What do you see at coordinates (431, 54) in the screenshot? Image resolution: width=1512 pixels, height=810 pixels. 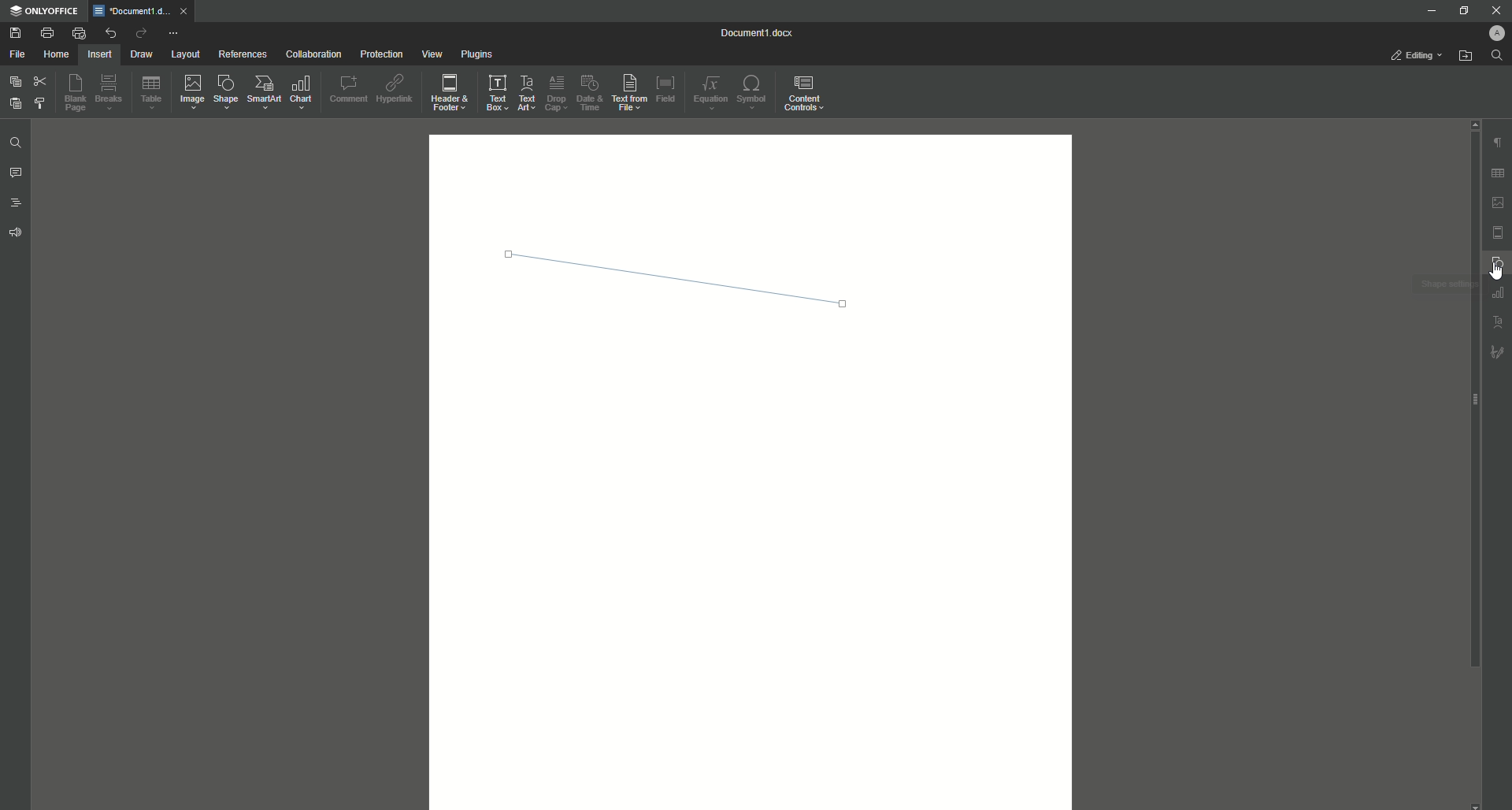 I see `View` at bounding box center [431, 54].